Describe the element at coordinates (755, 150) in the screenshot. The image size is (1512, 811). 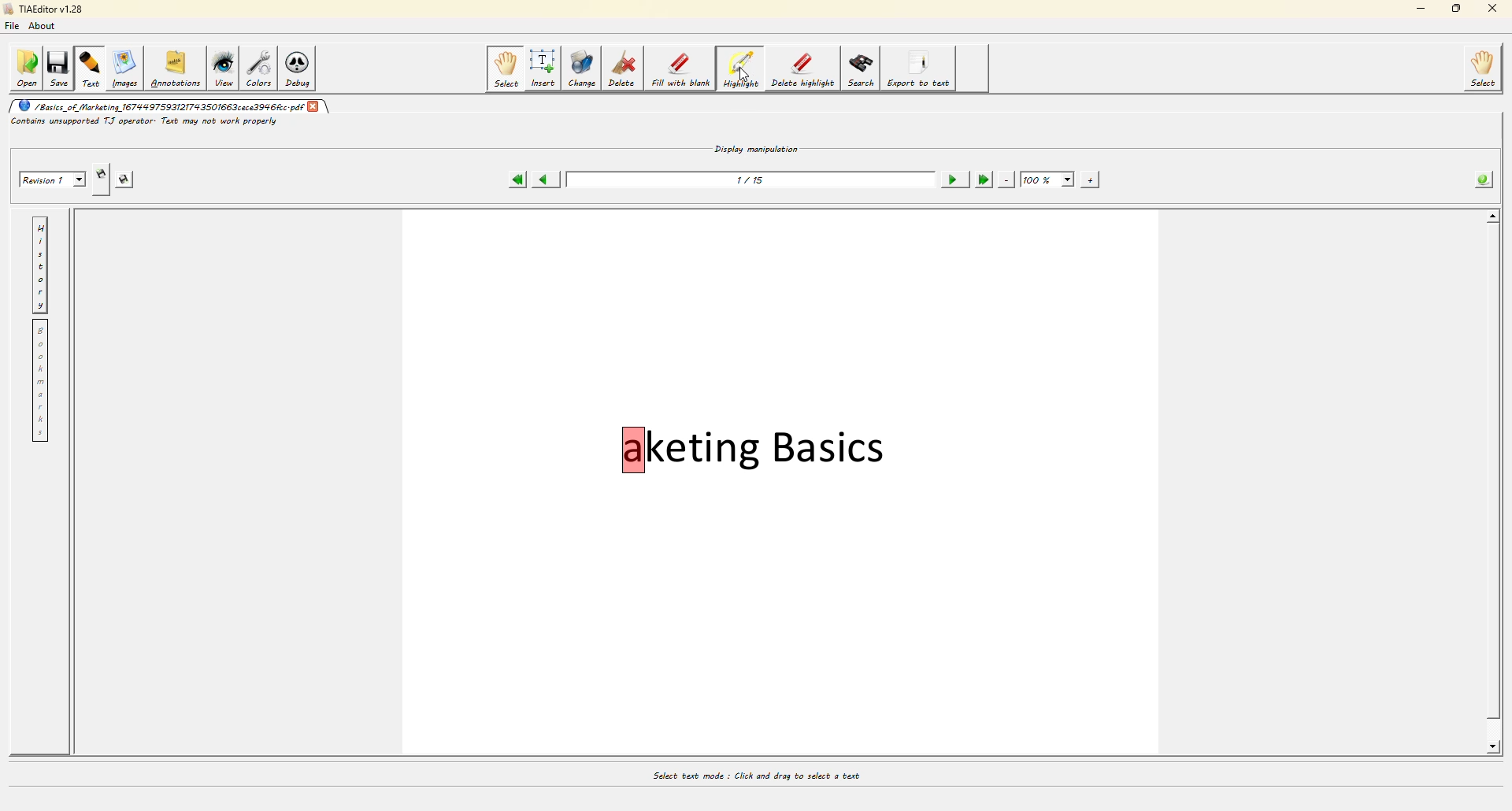
I see `display manipulation` at that location.